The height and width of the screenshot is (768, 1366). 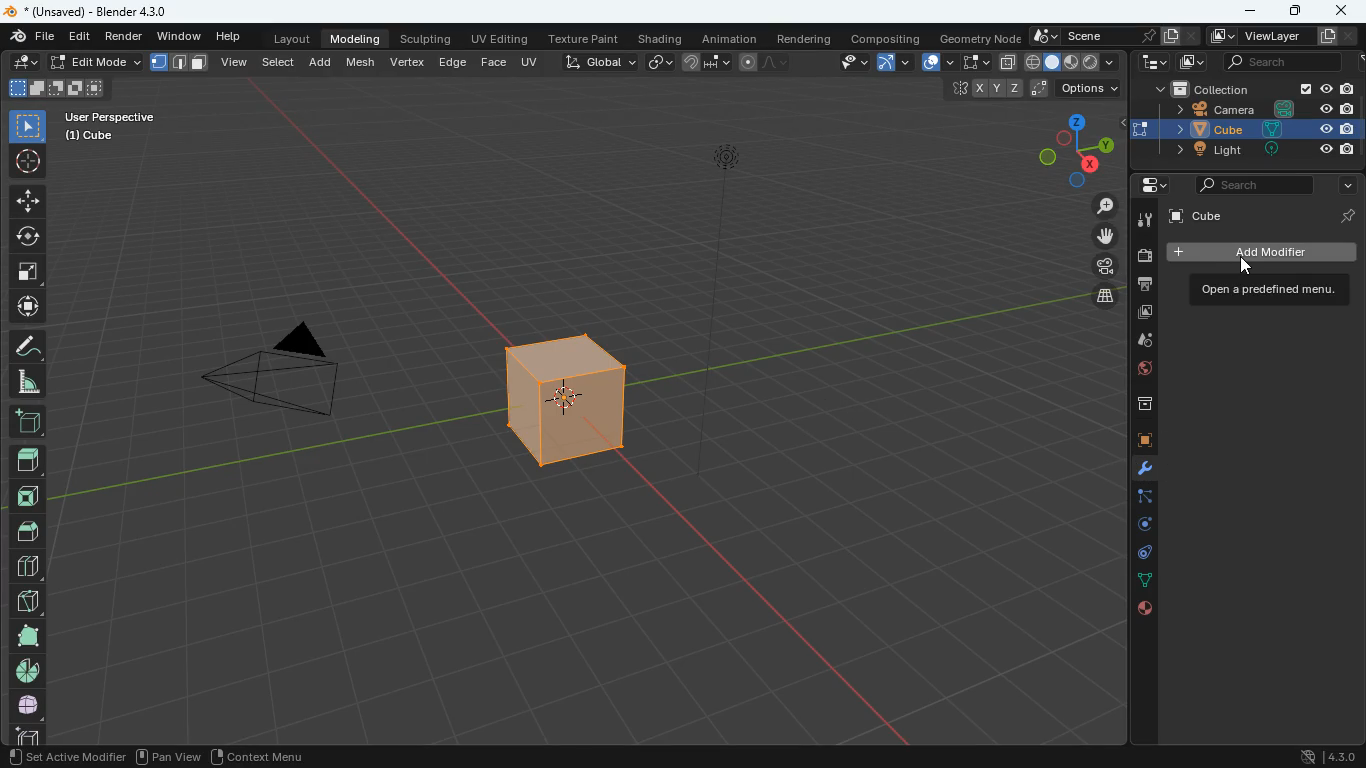 What do you see at coordinates (180, 62) in the screenshot?
I see `shape` at bounding box center [180, 62].